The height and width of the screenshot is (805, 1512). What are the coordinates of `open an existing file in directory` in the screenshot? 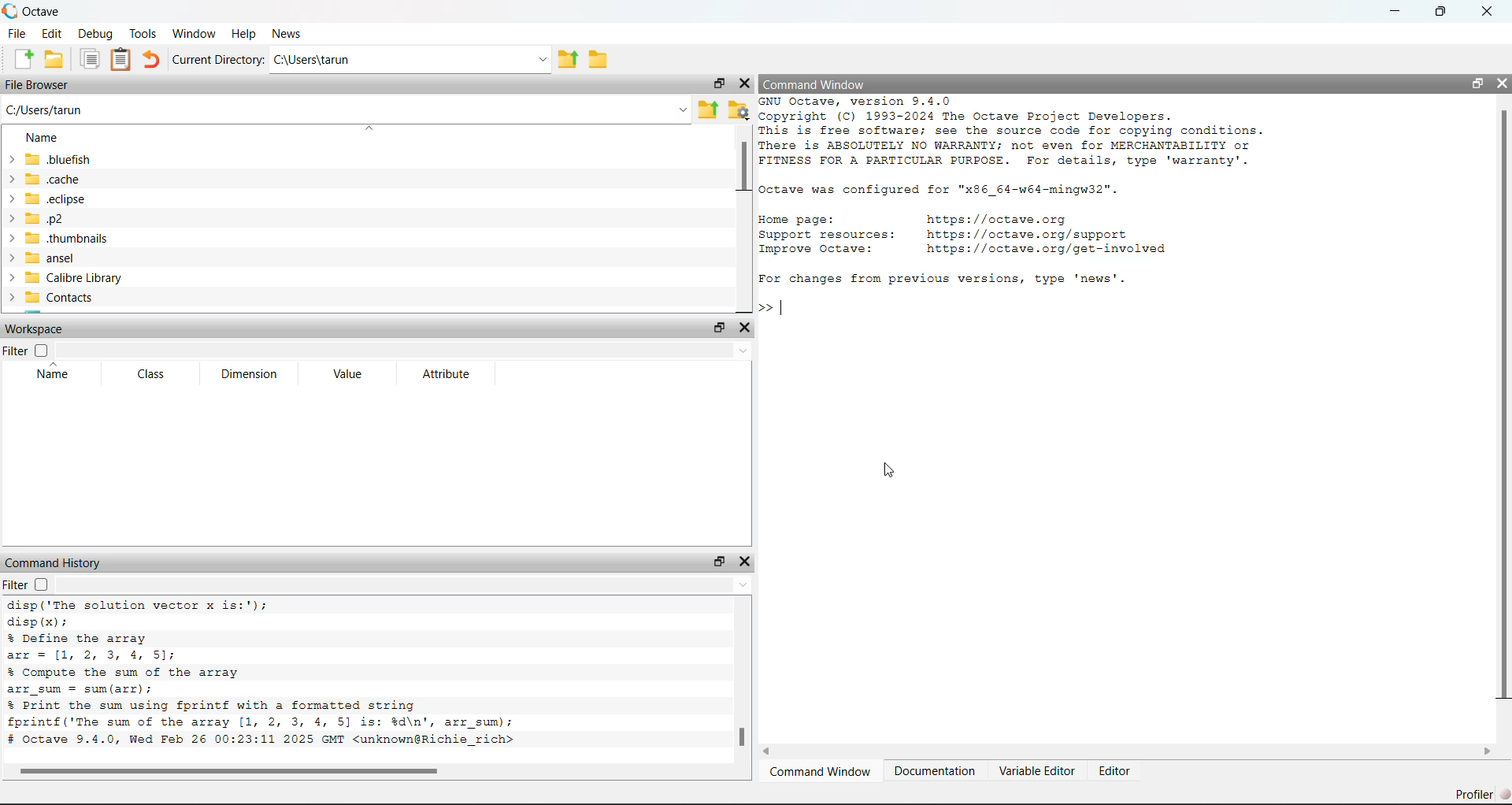 It's located at (54, 60).